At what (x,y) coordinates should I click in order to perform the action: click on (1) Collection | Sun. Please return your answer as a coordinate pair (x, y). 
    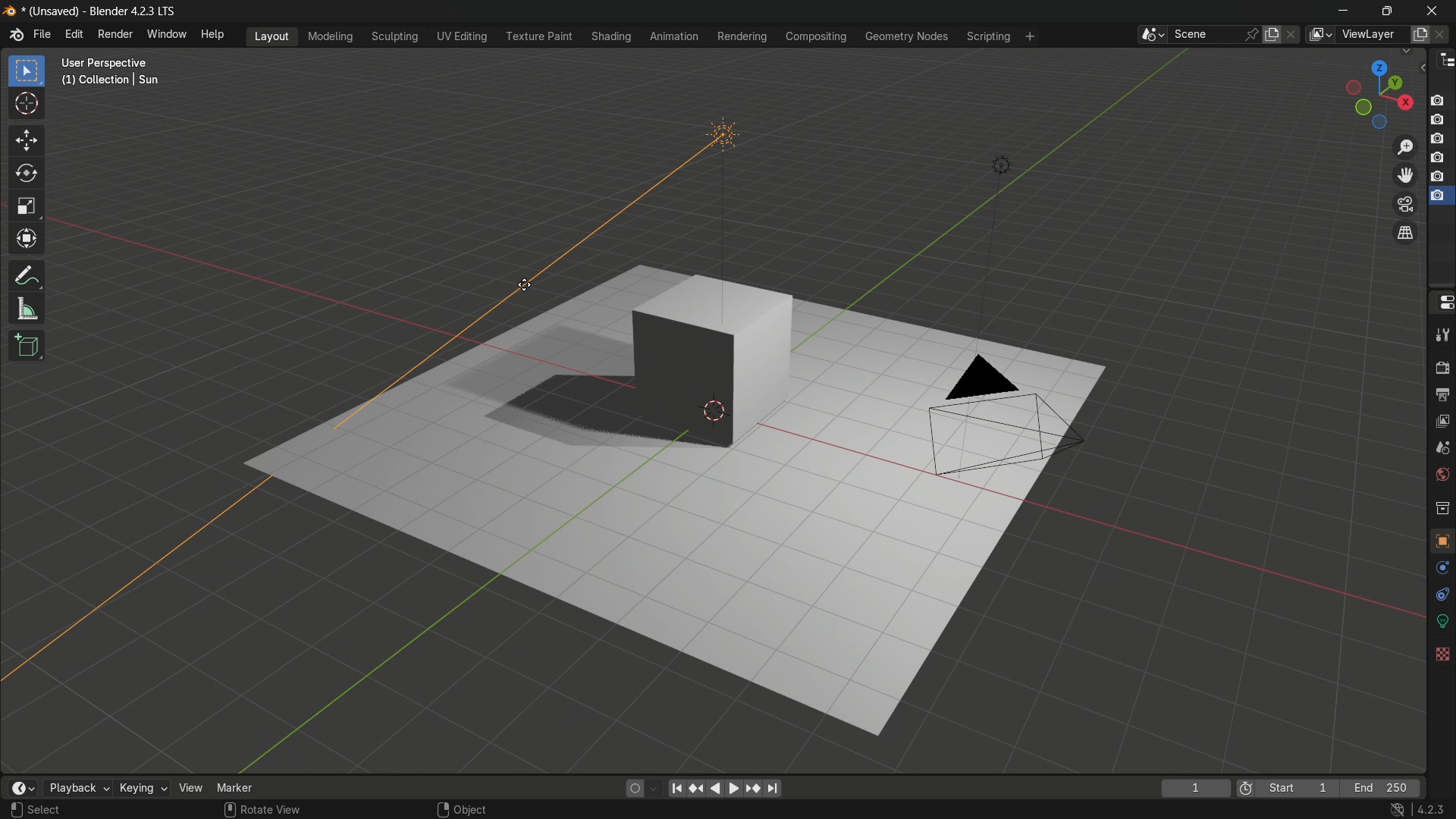
    Looking at the image, I should click on (111, 80).